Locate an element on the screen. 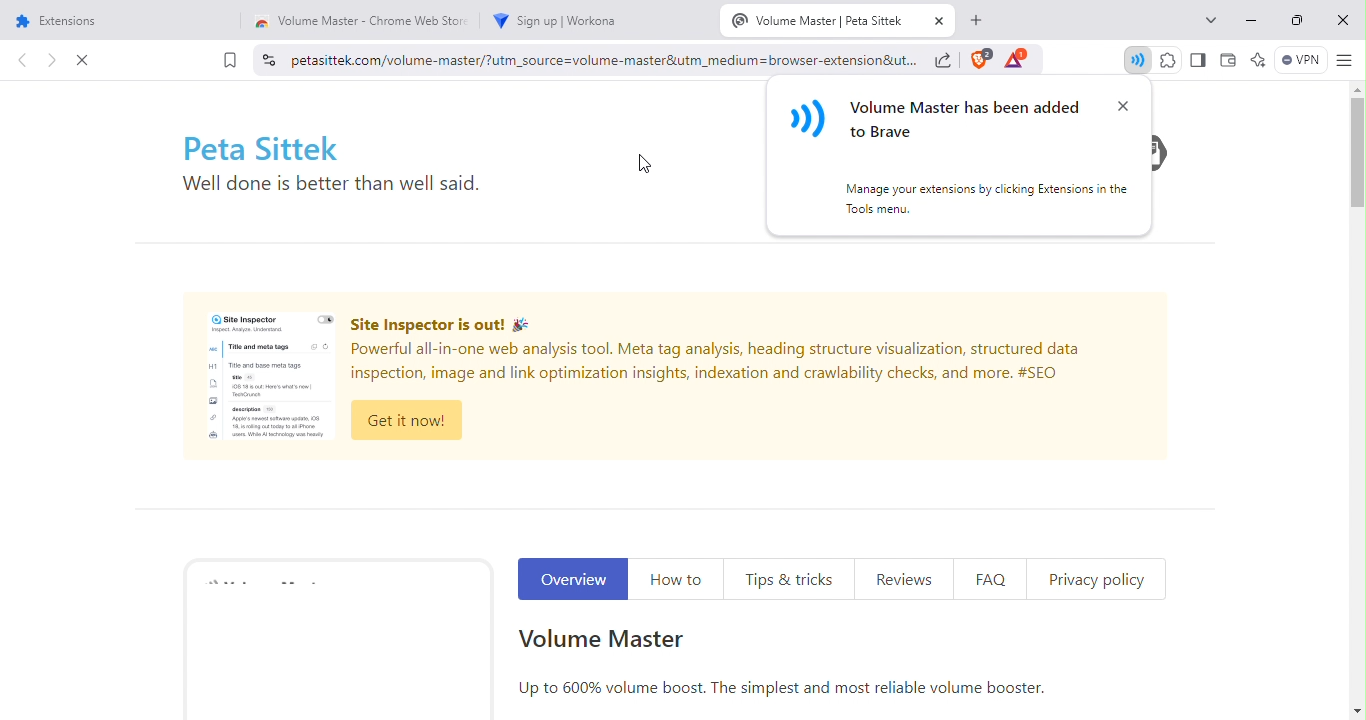  Site Inspector Advertisement is located at coordinates (678, 383).